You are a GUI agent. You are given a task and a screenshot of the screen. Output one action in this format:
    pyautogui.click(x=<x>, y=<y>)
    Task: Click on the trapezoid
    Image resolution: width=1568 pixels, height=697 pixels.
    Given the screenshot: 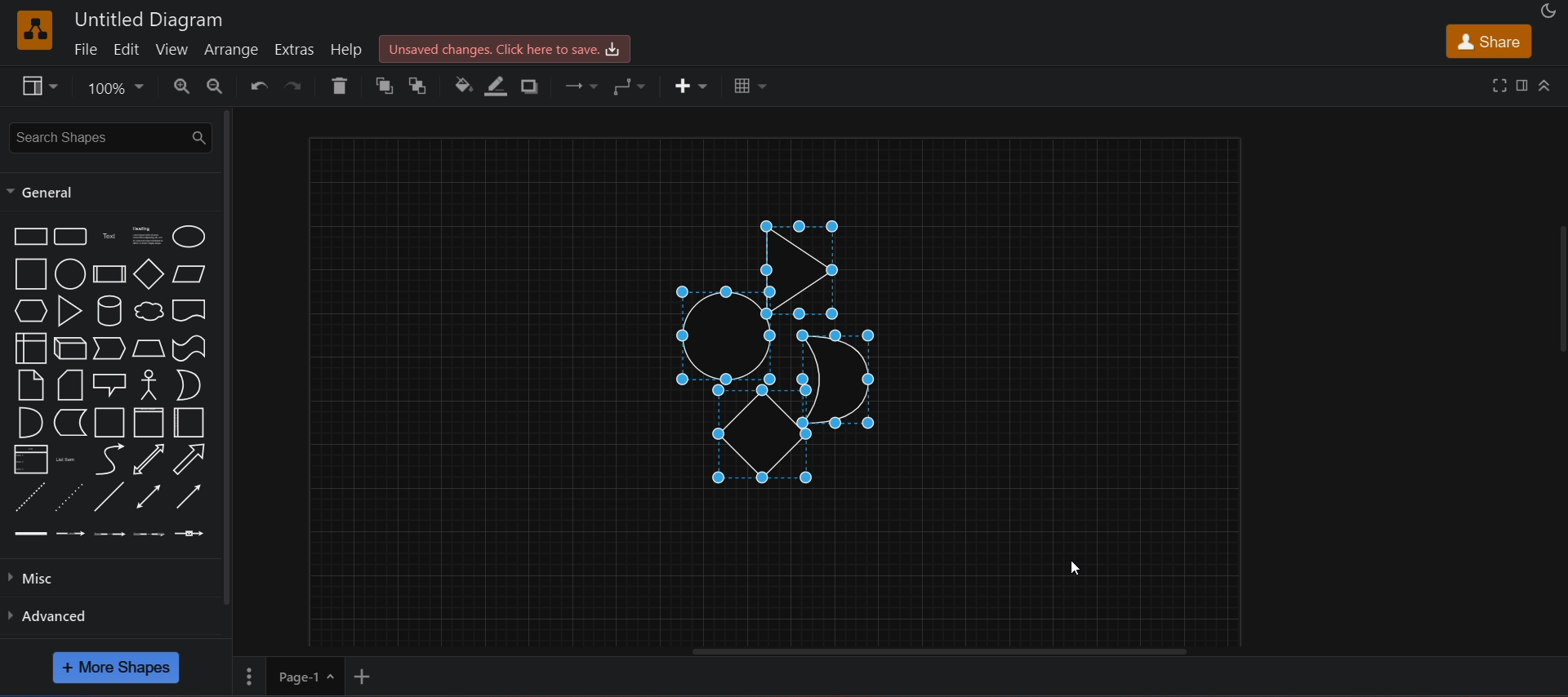 What is the action you would take?
    pyautogui.click(x=146, y=348)
    